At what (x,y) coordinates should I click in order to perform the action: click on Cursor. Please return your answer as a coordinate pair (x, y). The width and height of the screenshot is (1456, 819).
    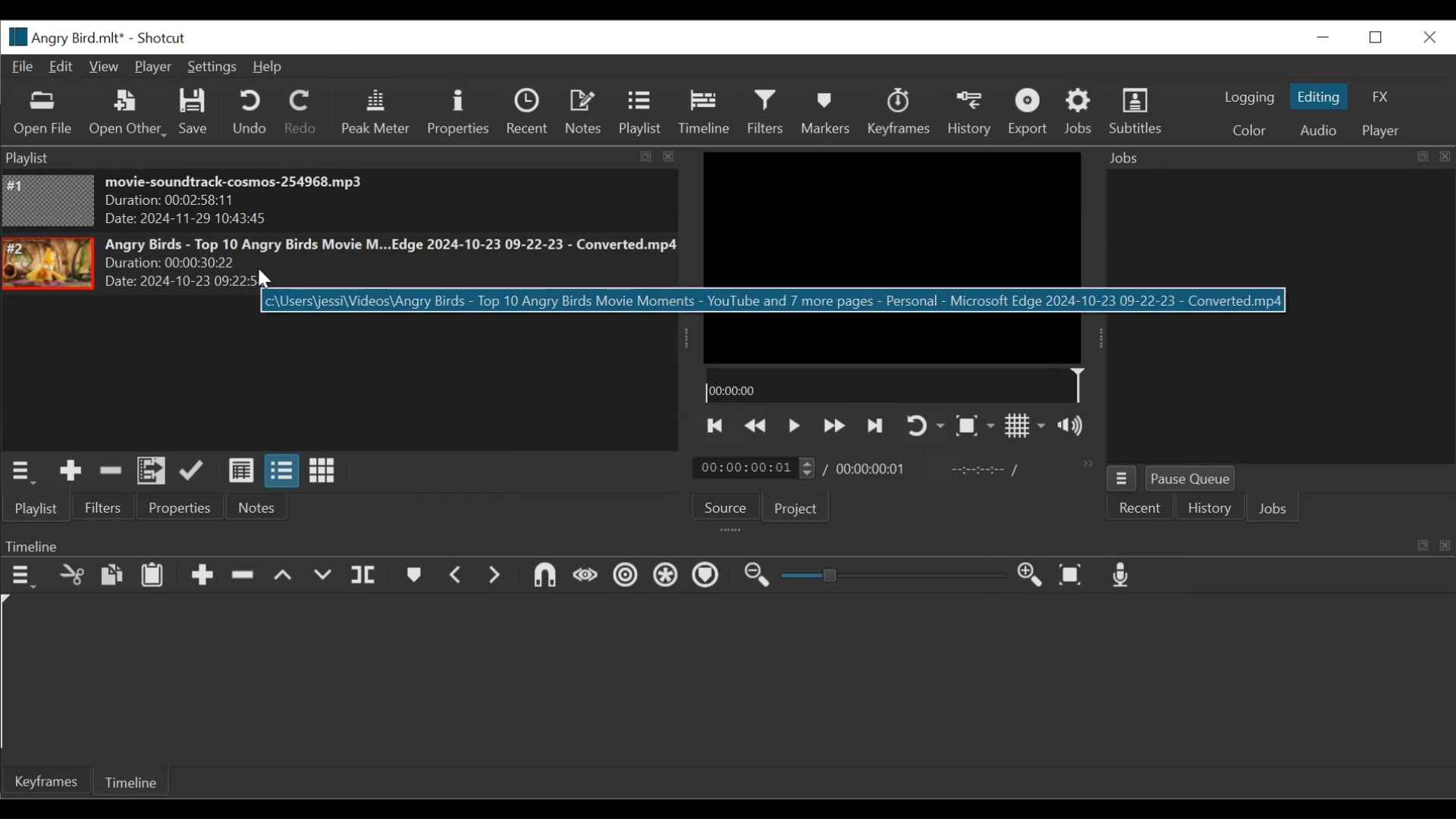
    Looking at the image, I should click on (261, 281).